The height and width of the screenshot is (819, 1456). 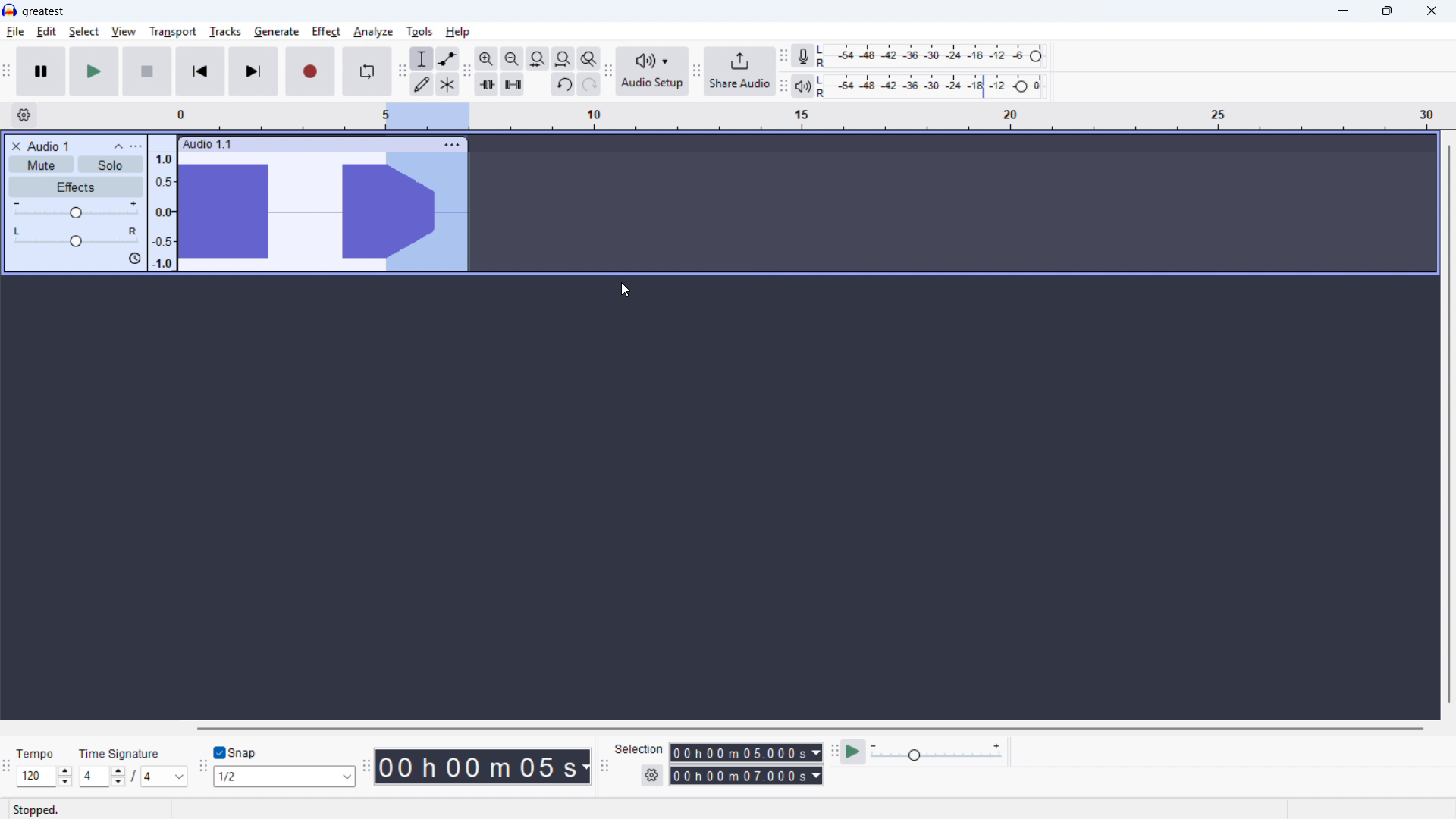 What do you see at coordinates (639, 749) in the screenshot?
I see `selection` at bounding box center [639, 749].